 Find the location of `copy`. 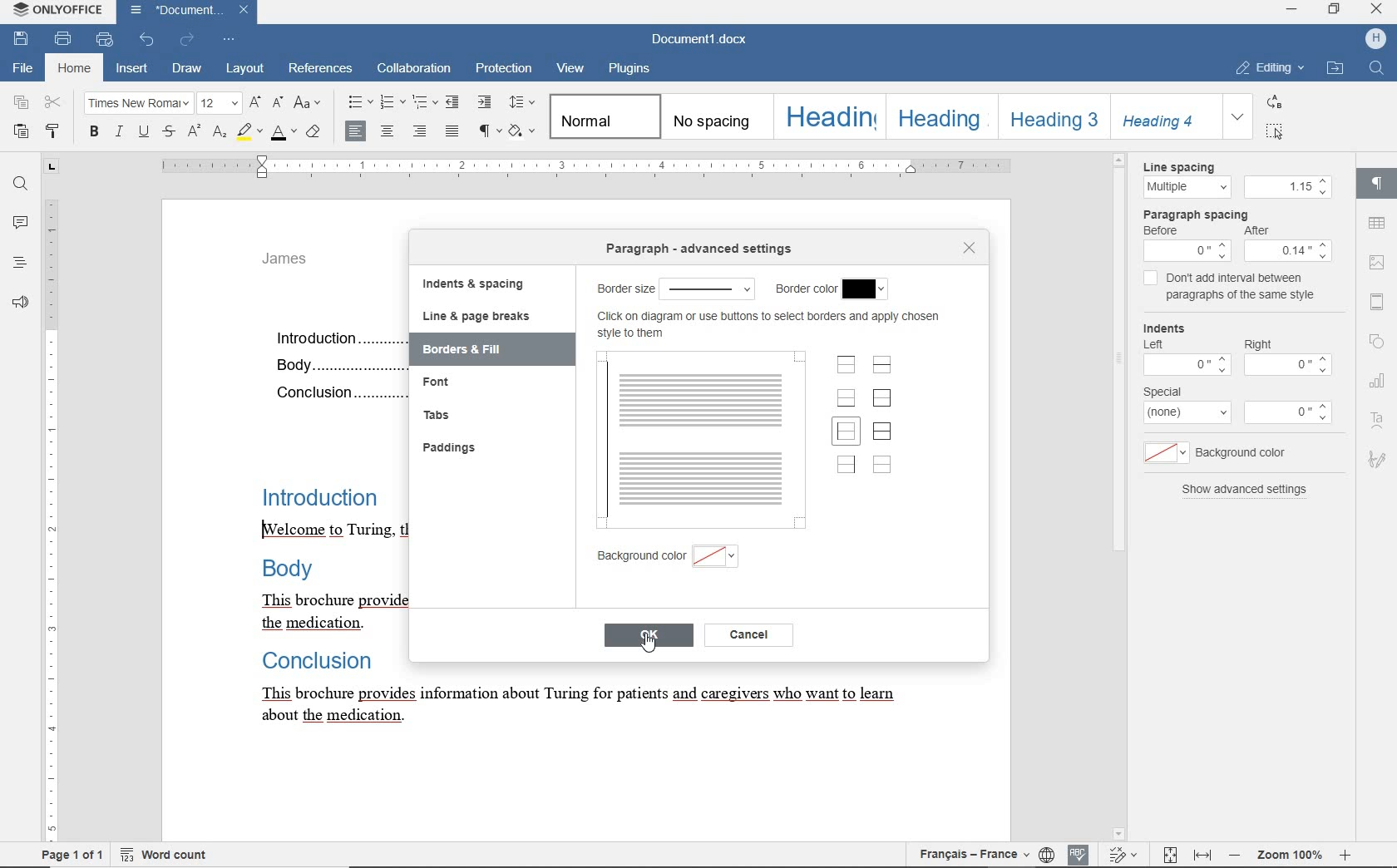

copy is located at coordinates (23, 104).